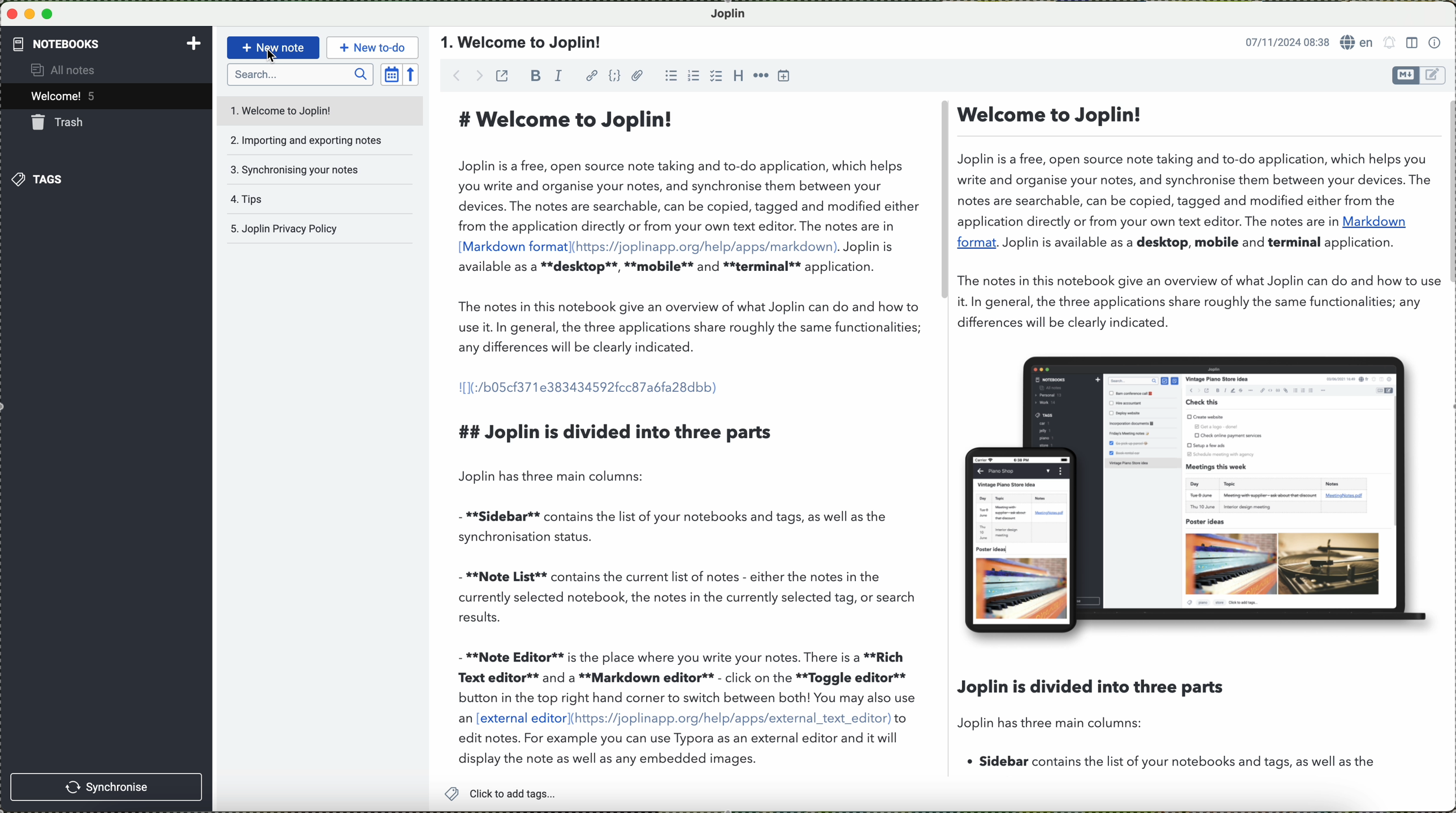 Image resolution: width=1456 pixels, height=813 pixels. Describe the element at coordinates (302, 110) in the screenshot. I see `welcome to joplin` at that location.